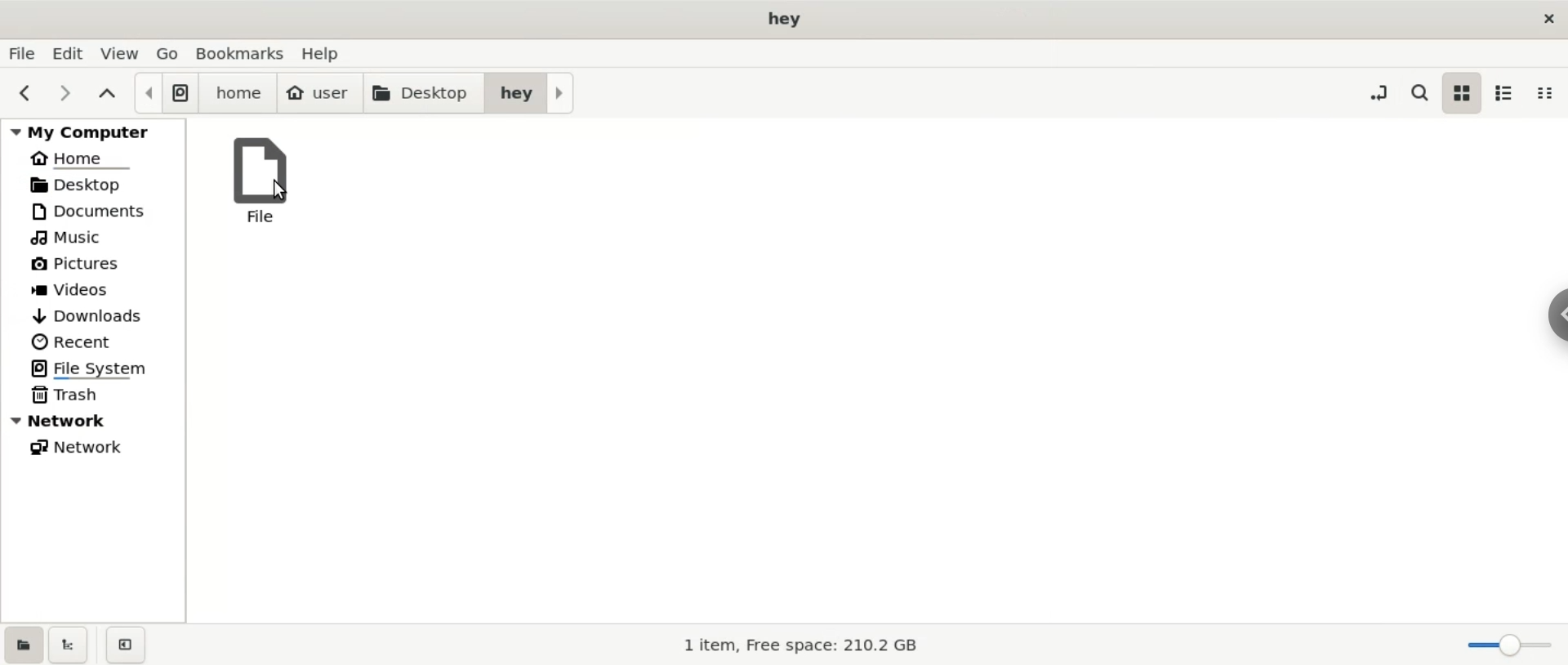 Image resolution: width=1568 pixels, height=665 pixels. Describe the element at coordinates (93, 129) in the screenshot. I see `my computer` at that location.